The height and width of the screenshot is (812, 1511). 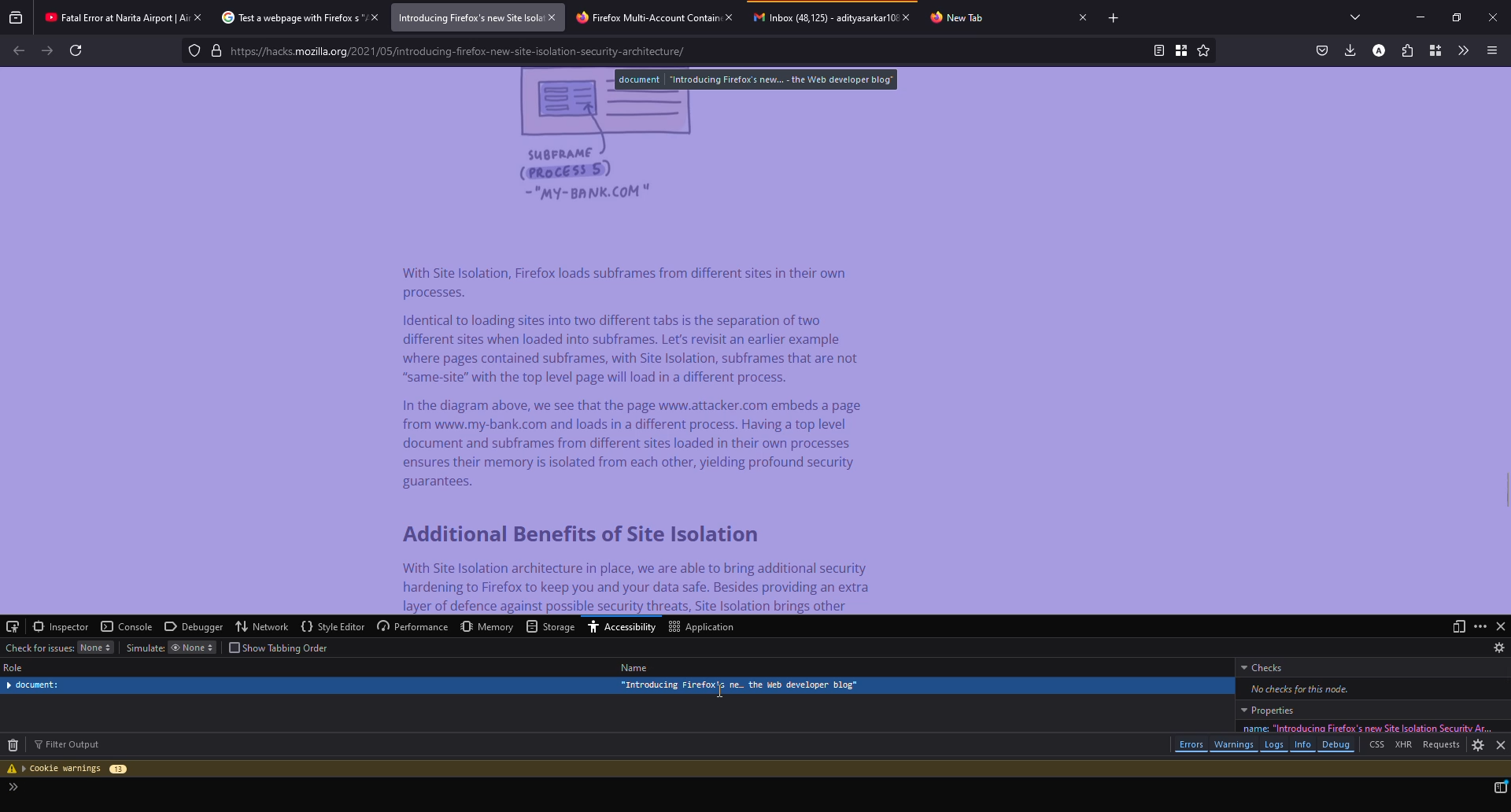 I want to click on back, so click(x=19, y=50).